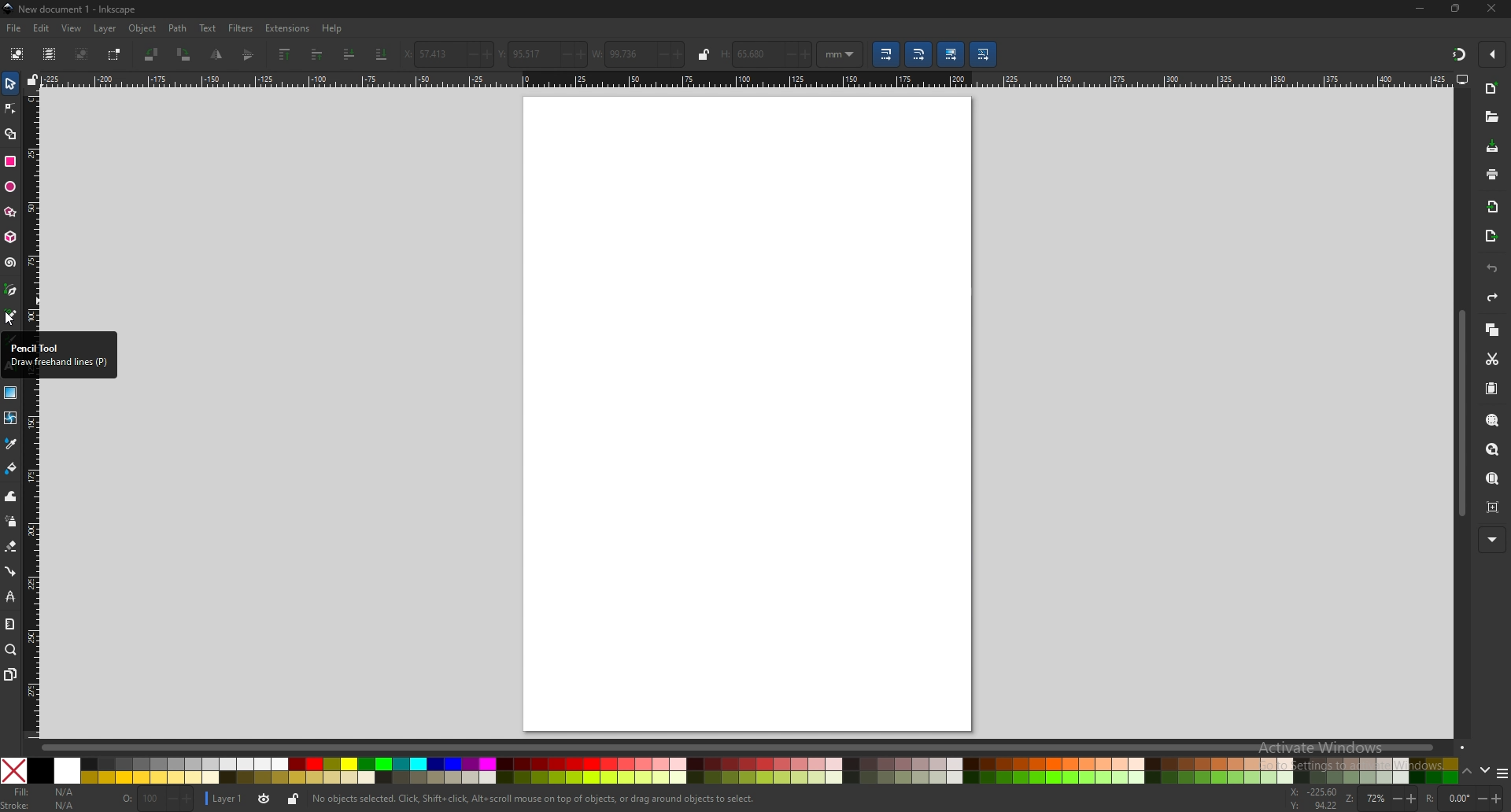  Describe the element at coordinates (43, 792) in the screenshot. I see `fill` at that location.